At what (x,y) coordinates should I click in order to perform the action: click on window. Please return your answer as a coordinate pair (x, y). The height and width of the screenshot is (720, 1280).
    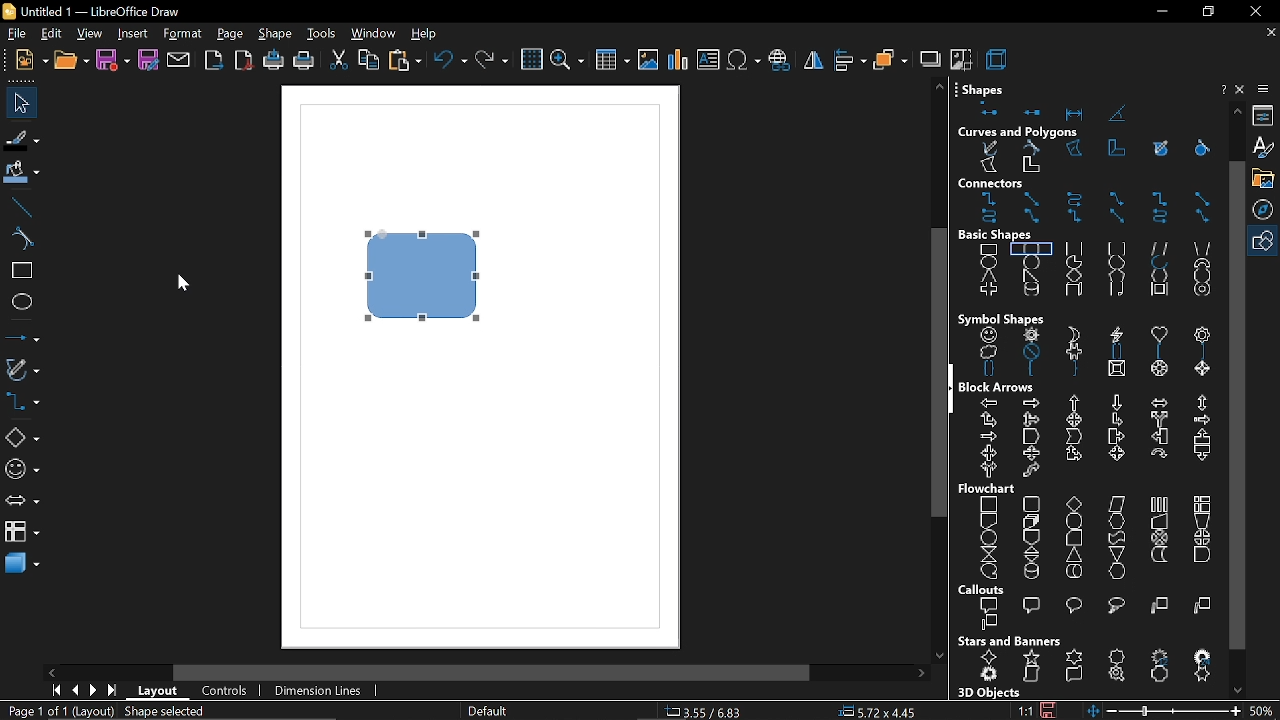
    Looking at the image, I should click on (372, 35).